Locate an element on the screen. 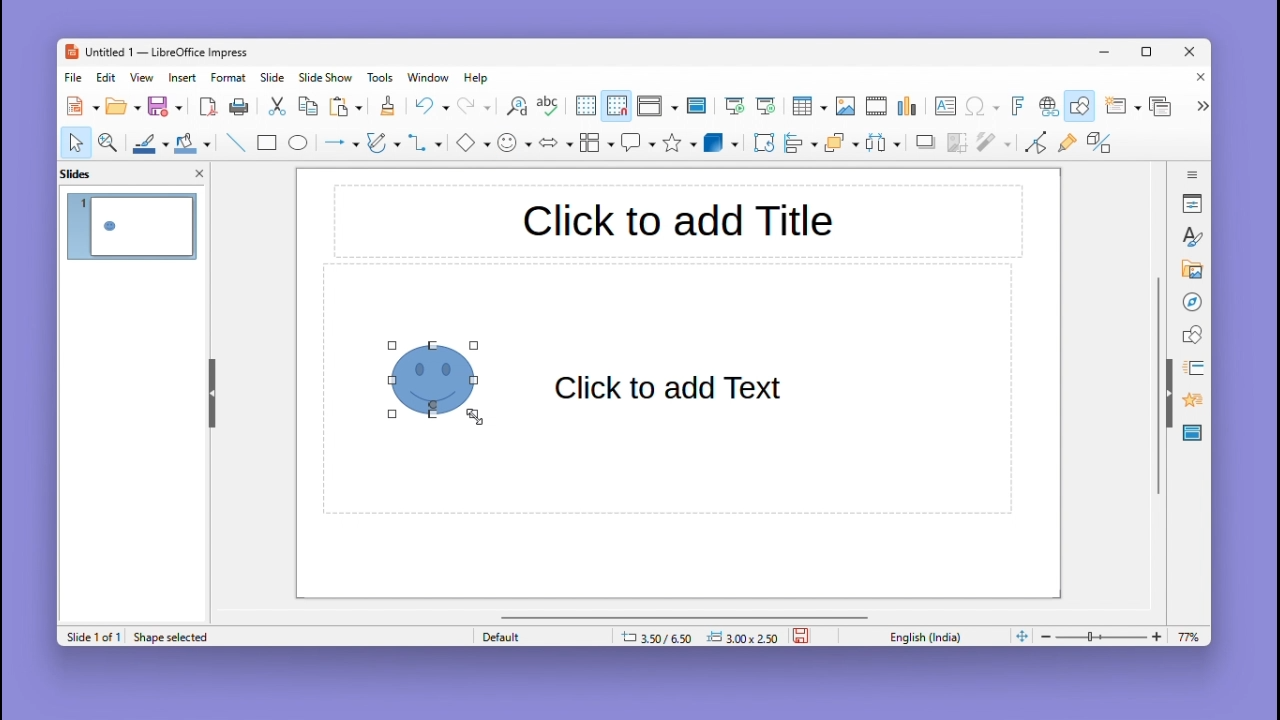  Circle is located at coordinates (300, 145).